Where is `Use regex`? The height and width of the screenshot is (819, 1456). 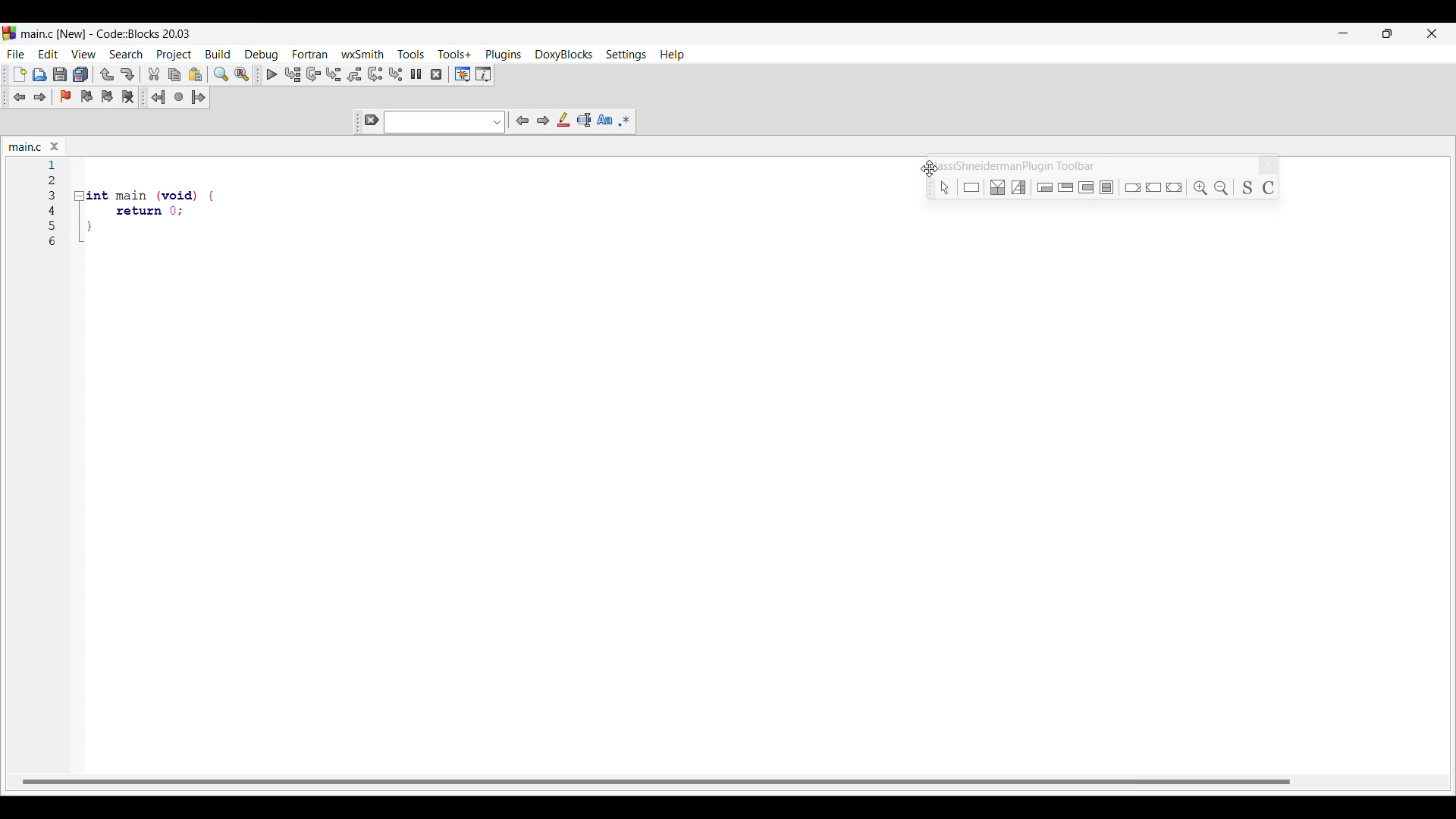
Use regex is located at coordinates (625, 121).